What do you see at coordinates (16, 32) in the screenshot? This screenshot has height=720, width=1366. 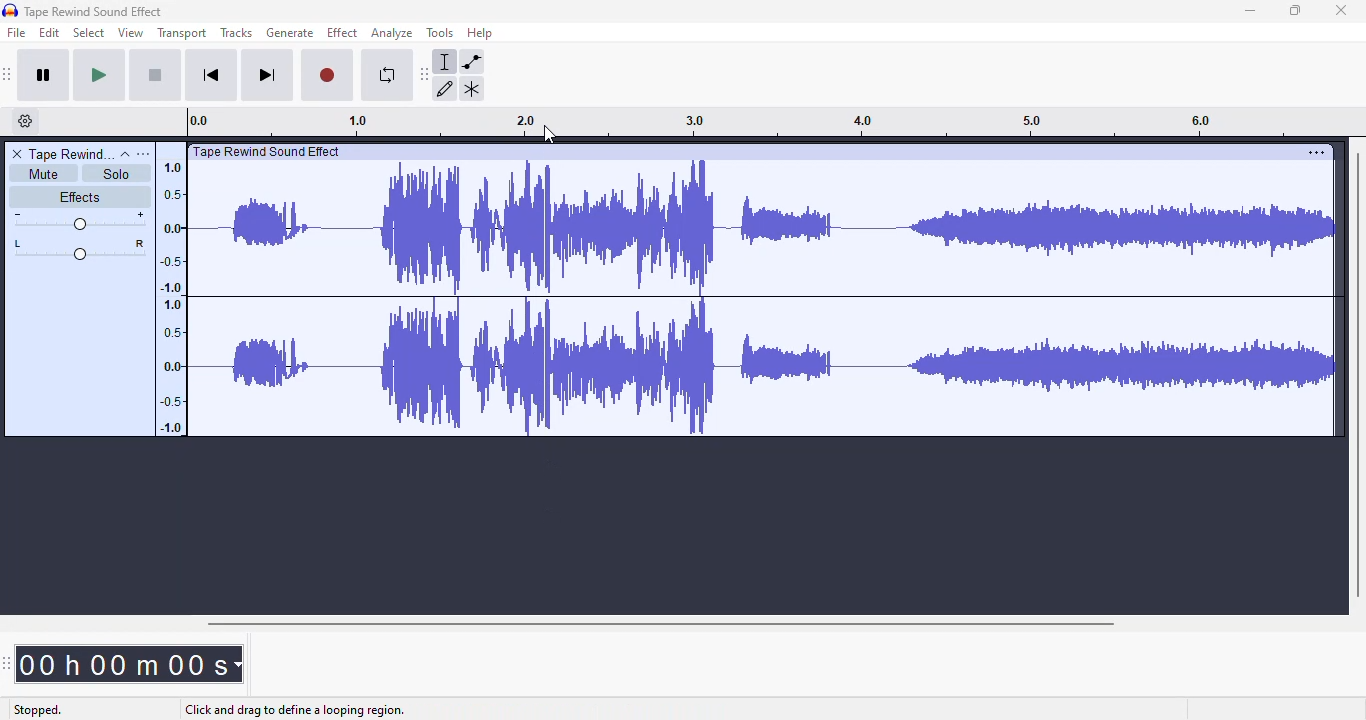 I see `file` at bounding box center [16, 32].